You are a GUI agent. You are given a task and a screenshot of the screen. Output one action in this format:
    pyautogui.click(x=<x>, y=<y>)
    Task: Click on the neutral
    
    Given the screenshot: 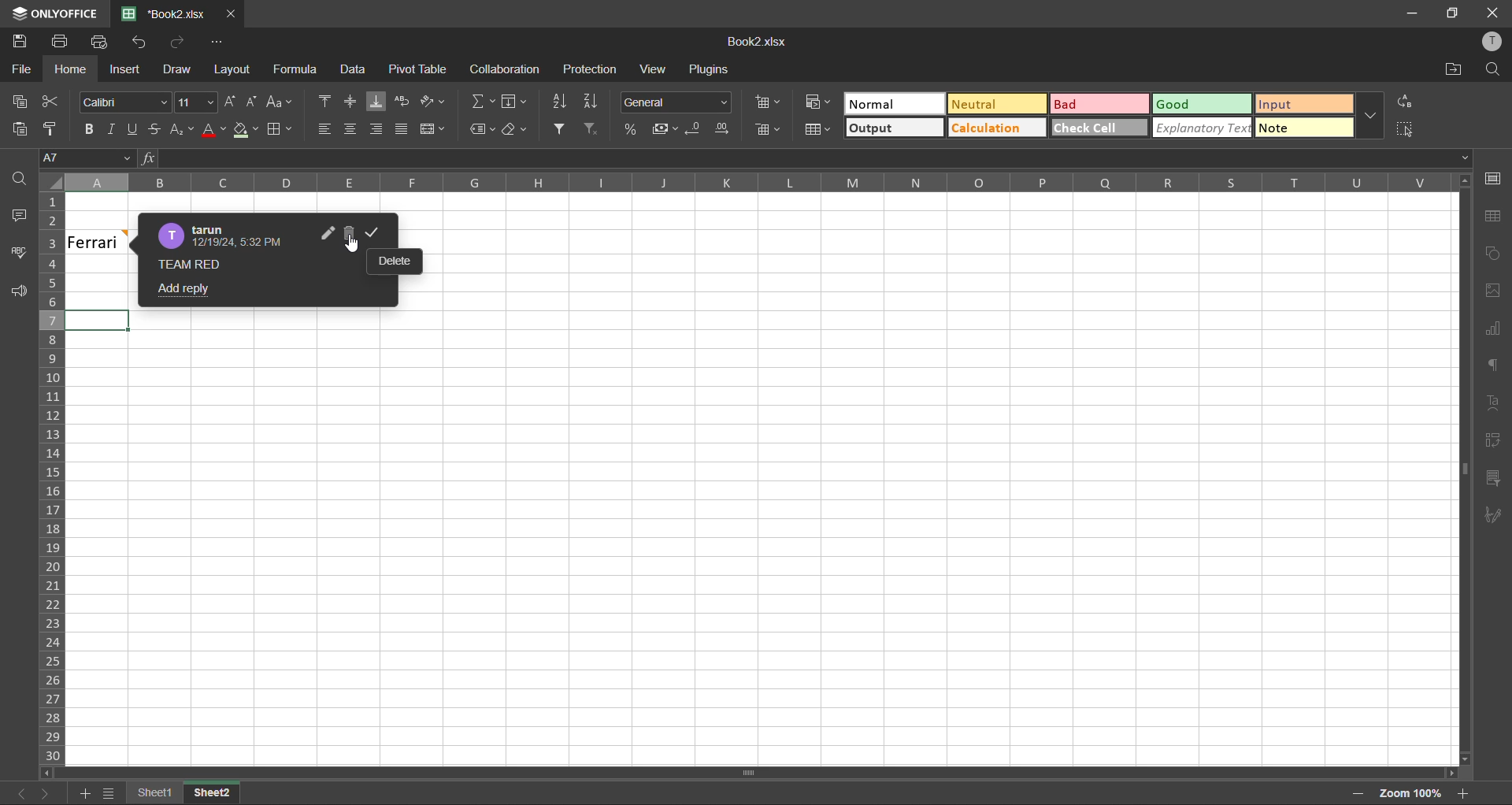 What is the action you would take?
    pyautogui.click(x=996, y=105)
    